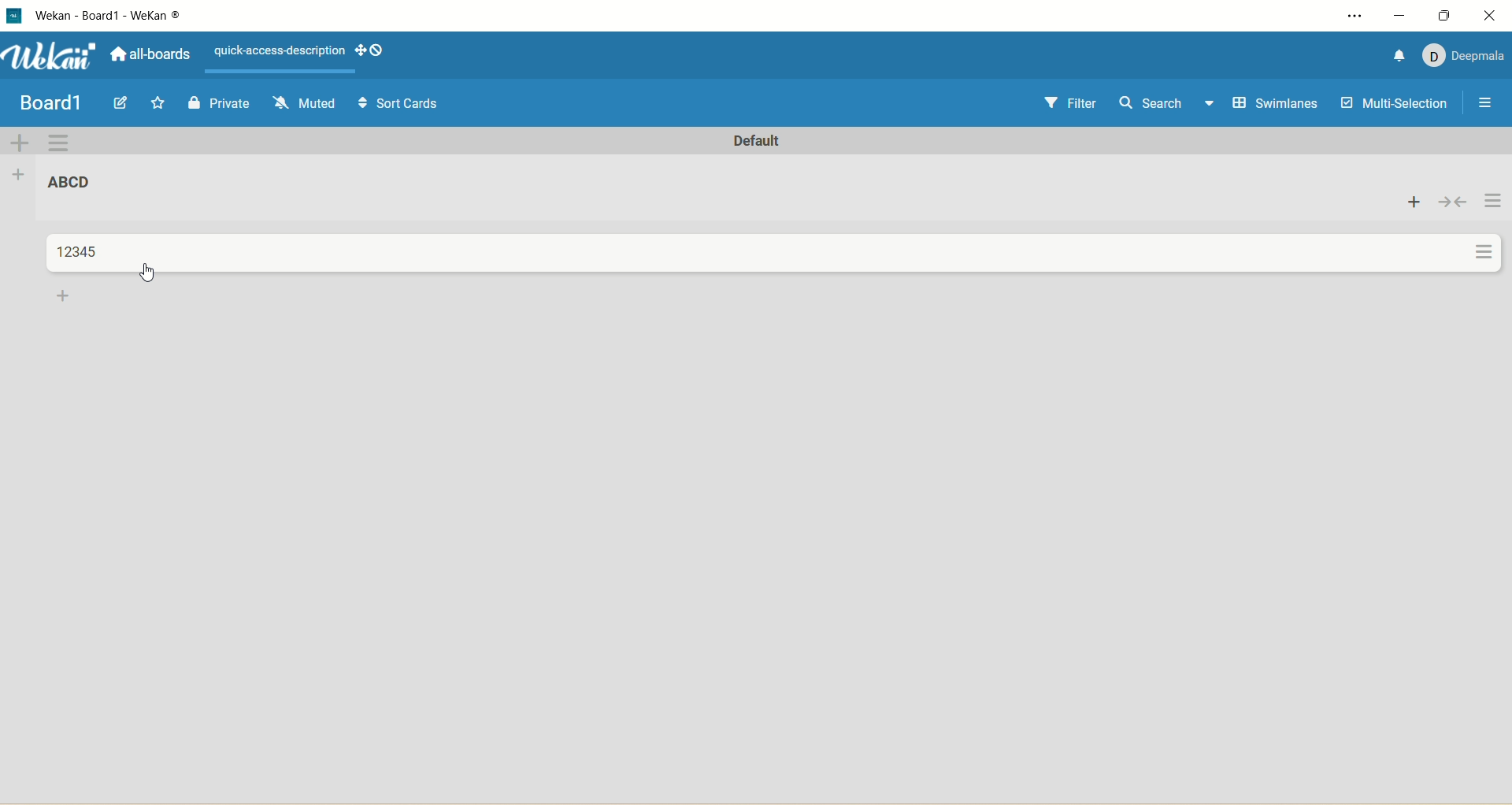  Describe the element at coordinates (149, 275) in the screenshot. I see `cursor` at that location.